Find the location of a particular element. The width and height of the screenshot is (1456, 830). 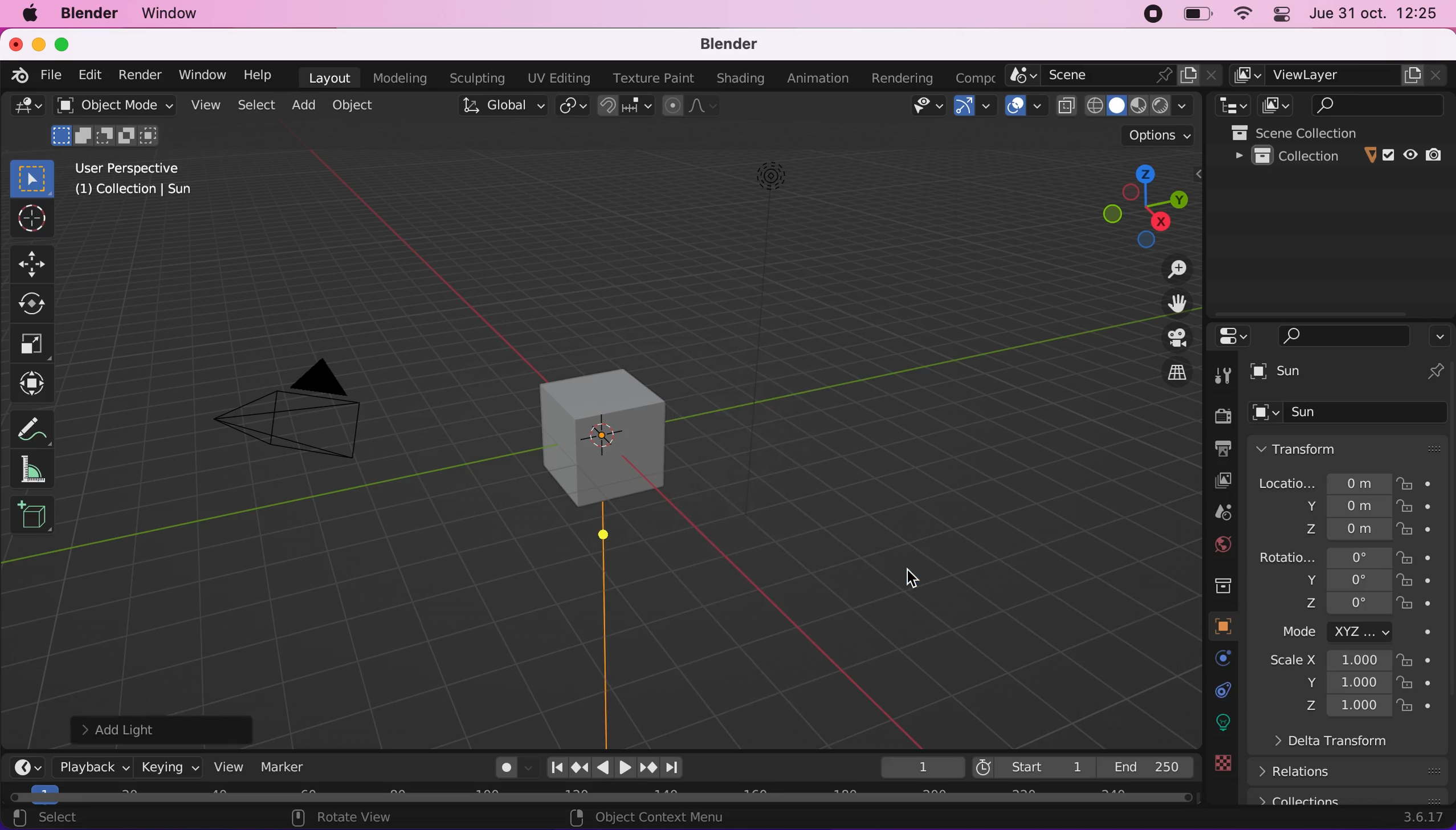

scene is located at coordinates (1213, 514).